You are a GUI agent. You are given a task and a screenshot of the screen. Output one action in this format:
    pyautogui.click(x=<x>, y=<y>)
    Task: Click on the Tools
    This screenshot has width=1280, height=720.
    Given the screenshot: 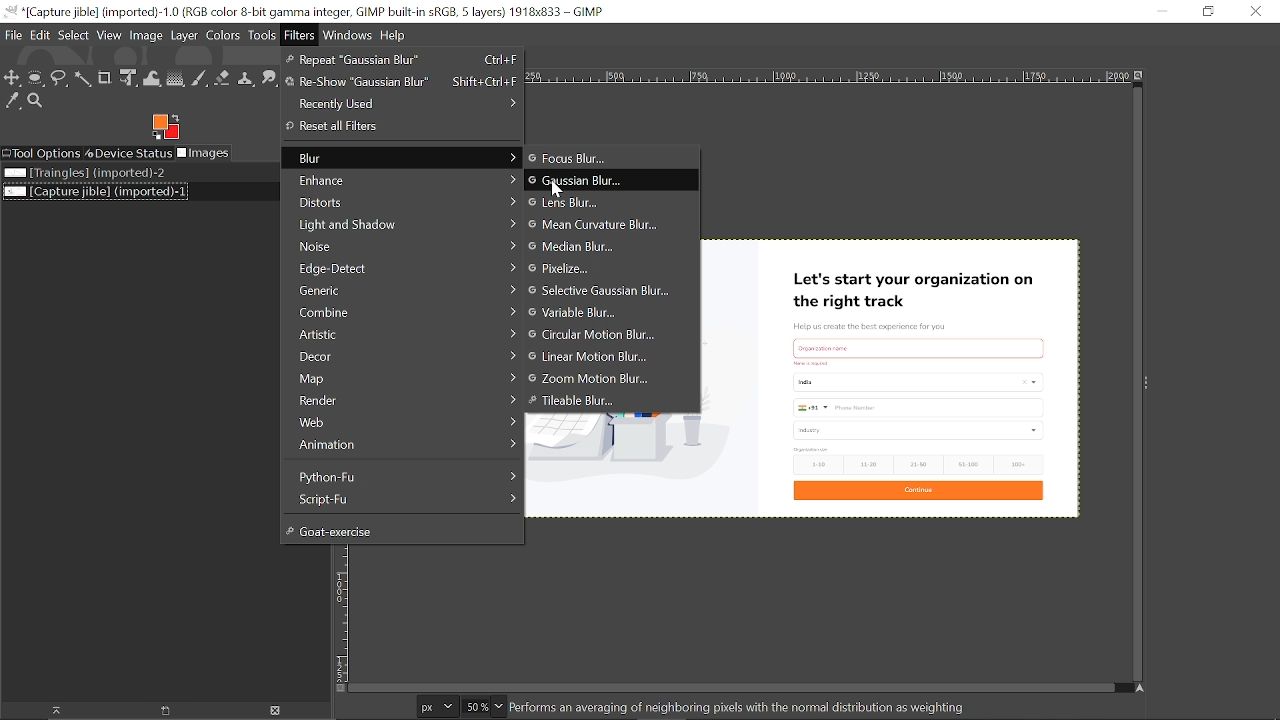 What is the action you would take?
    pyautogui.click(x=264, y=37)
    